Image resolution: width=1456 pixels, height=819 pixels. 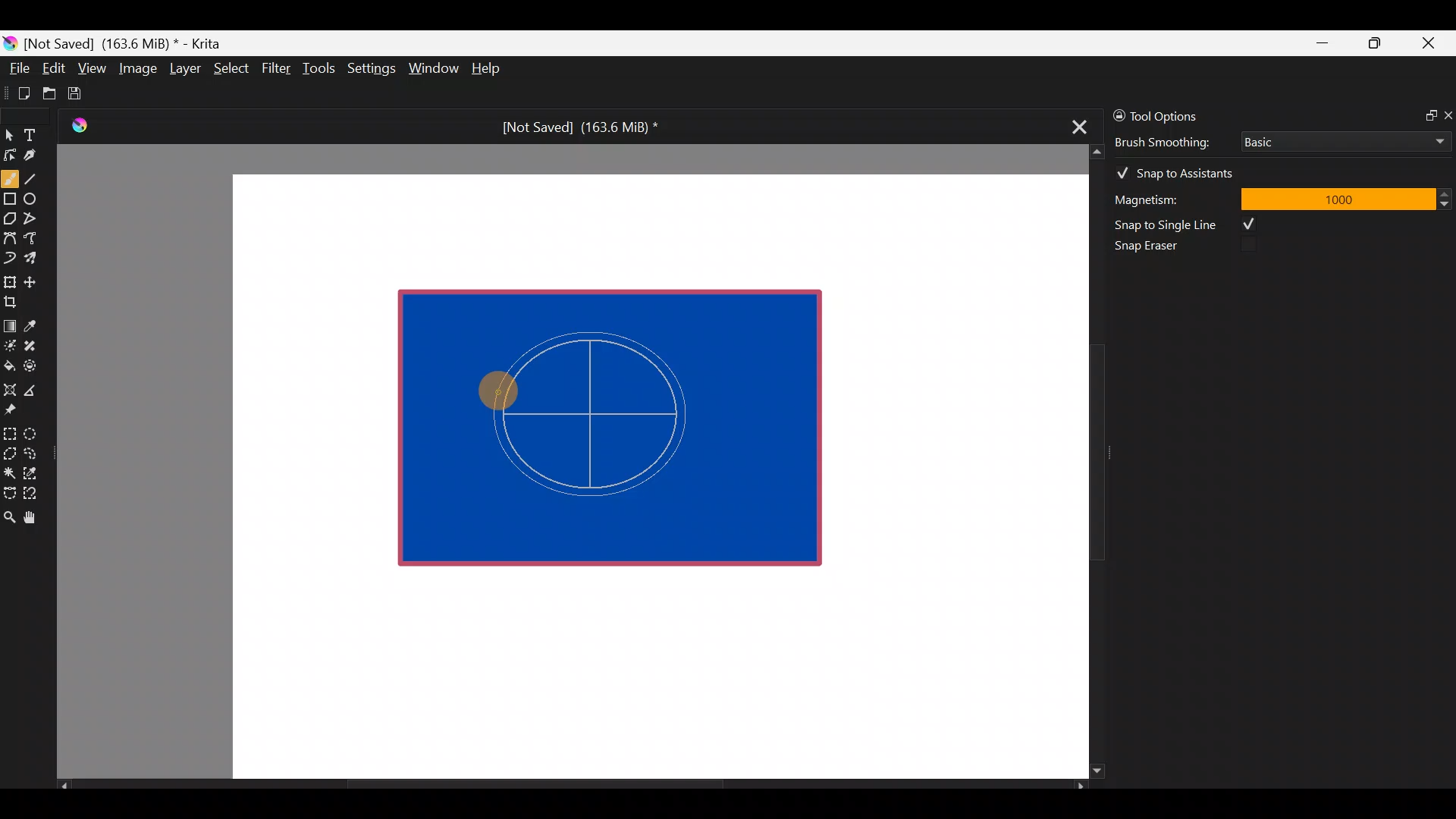 I want to click on Line tool, so click(x=40, y=177).